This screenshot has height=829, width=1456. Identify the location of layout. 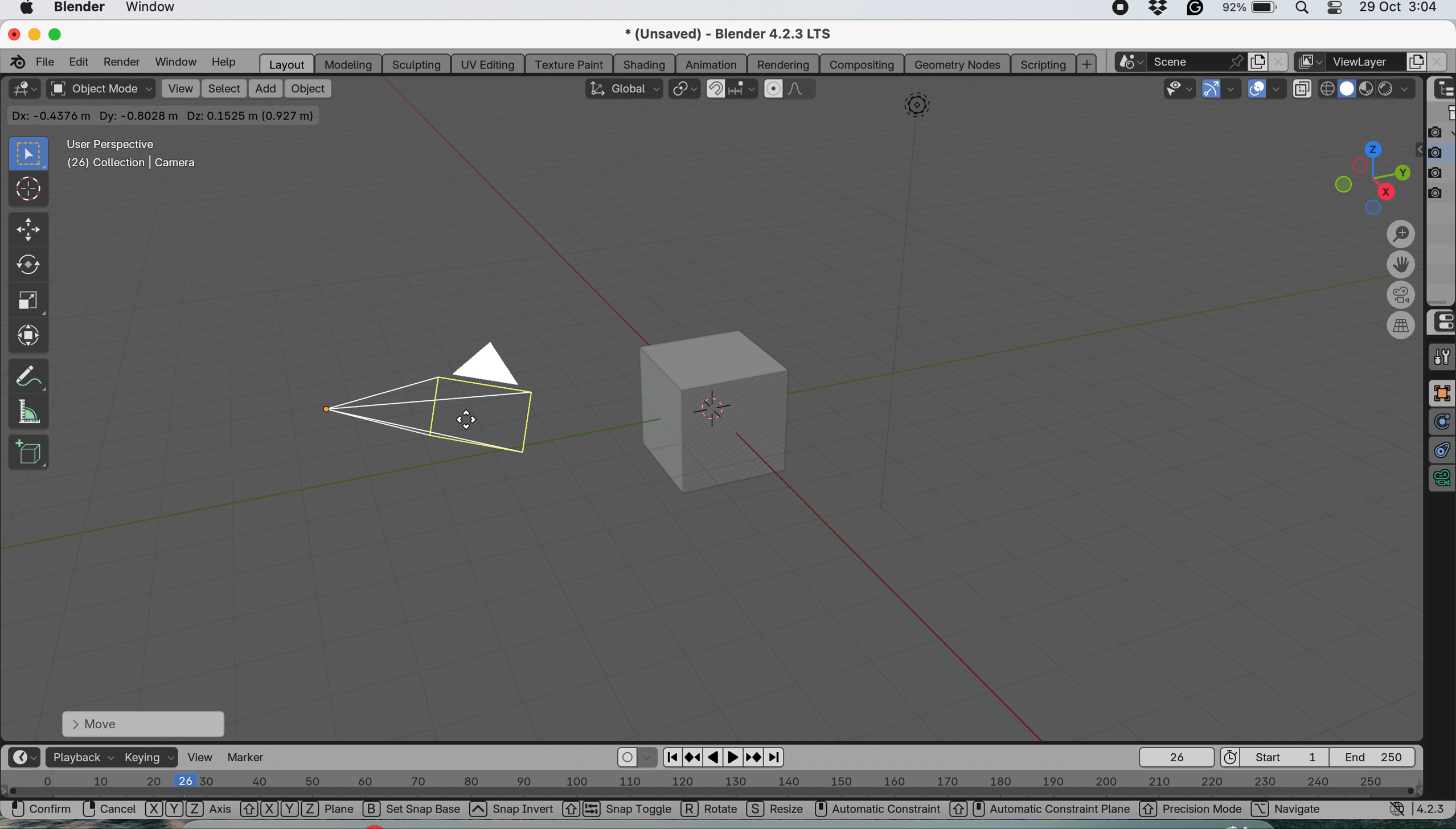
(285, 63).